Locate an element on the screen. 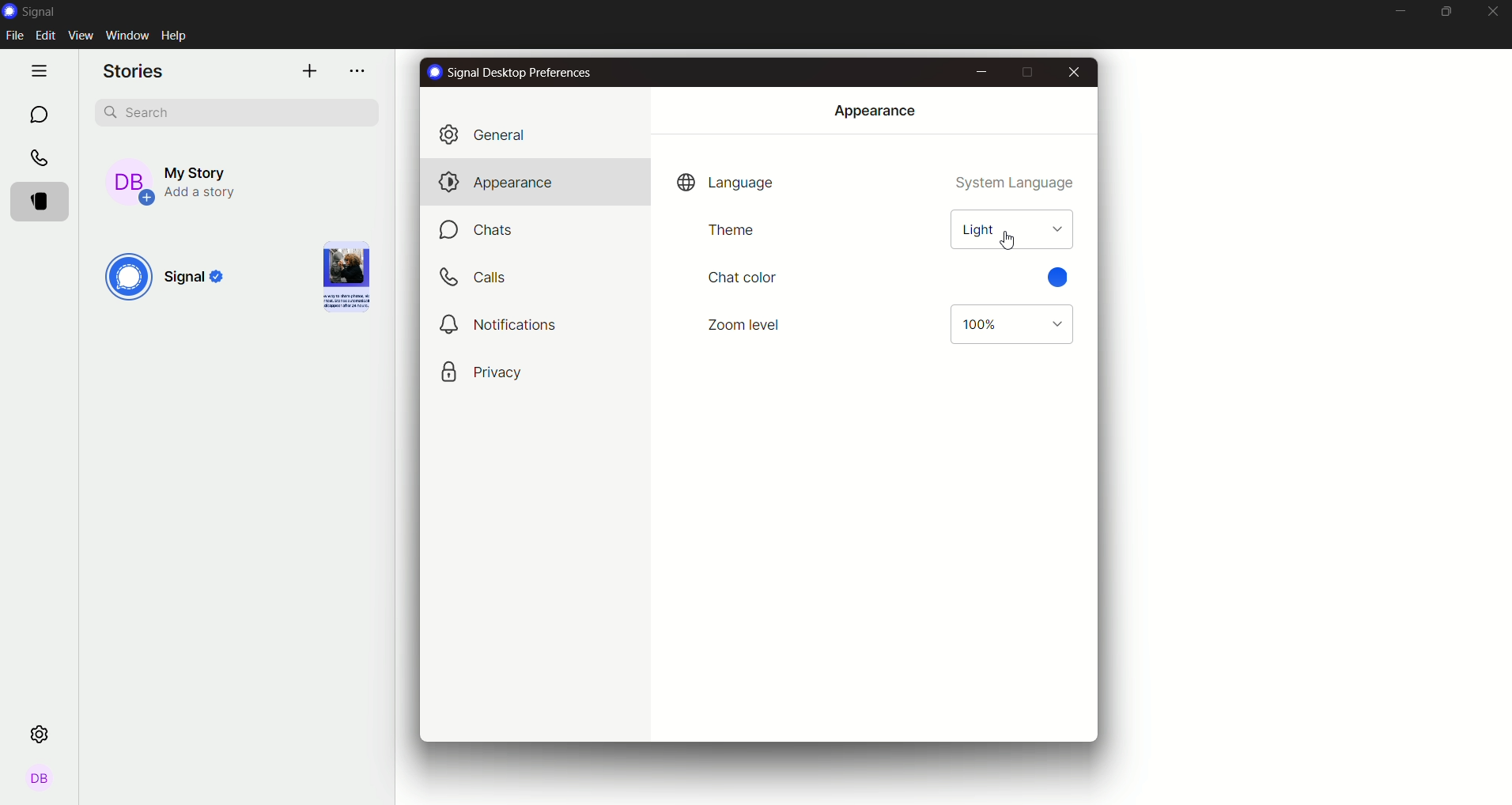 This screenshot has height=805, width=1512. my story is located at coordinates (191, 178).